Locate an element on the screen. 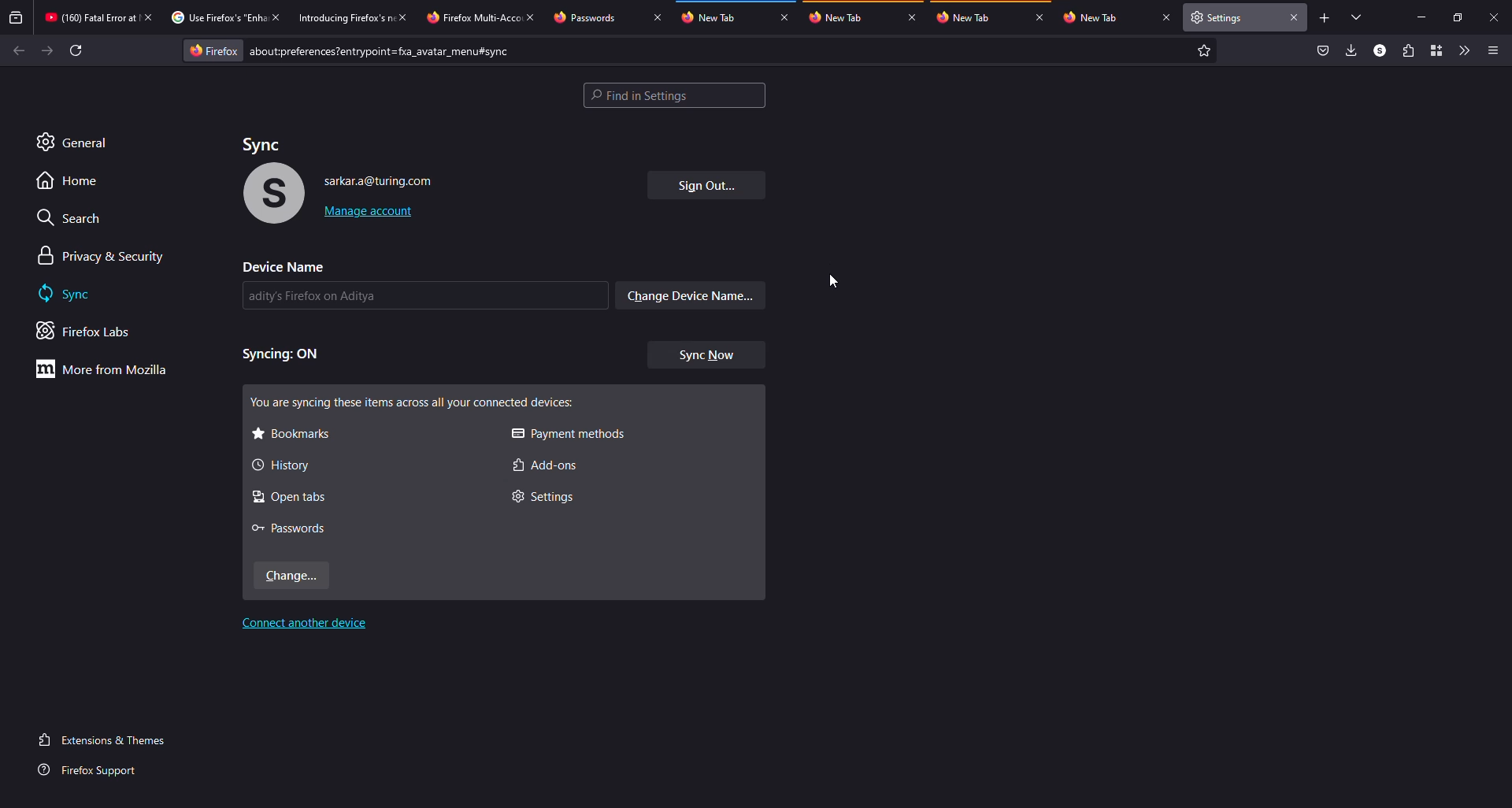  manage is located at coordinates (369, 209).